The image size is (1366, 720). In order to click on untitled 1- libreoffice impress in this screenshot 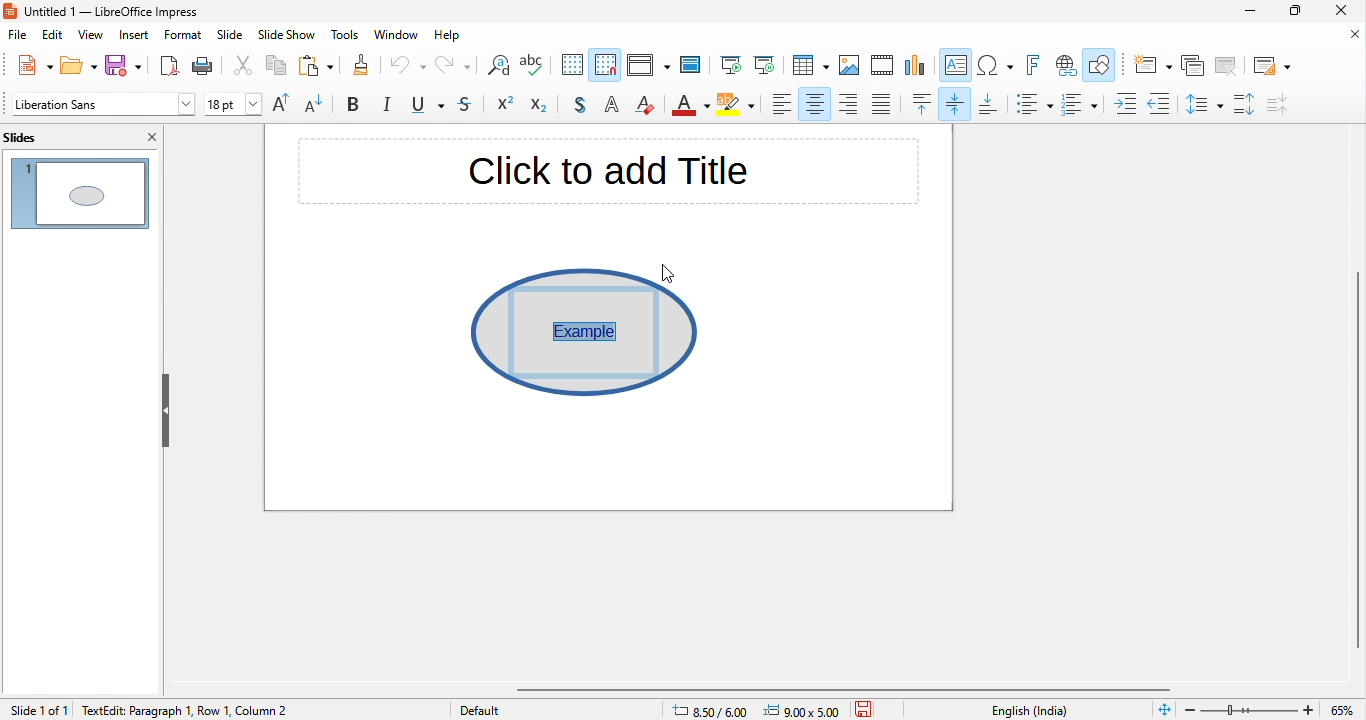, I will do `click(122, 12)`.